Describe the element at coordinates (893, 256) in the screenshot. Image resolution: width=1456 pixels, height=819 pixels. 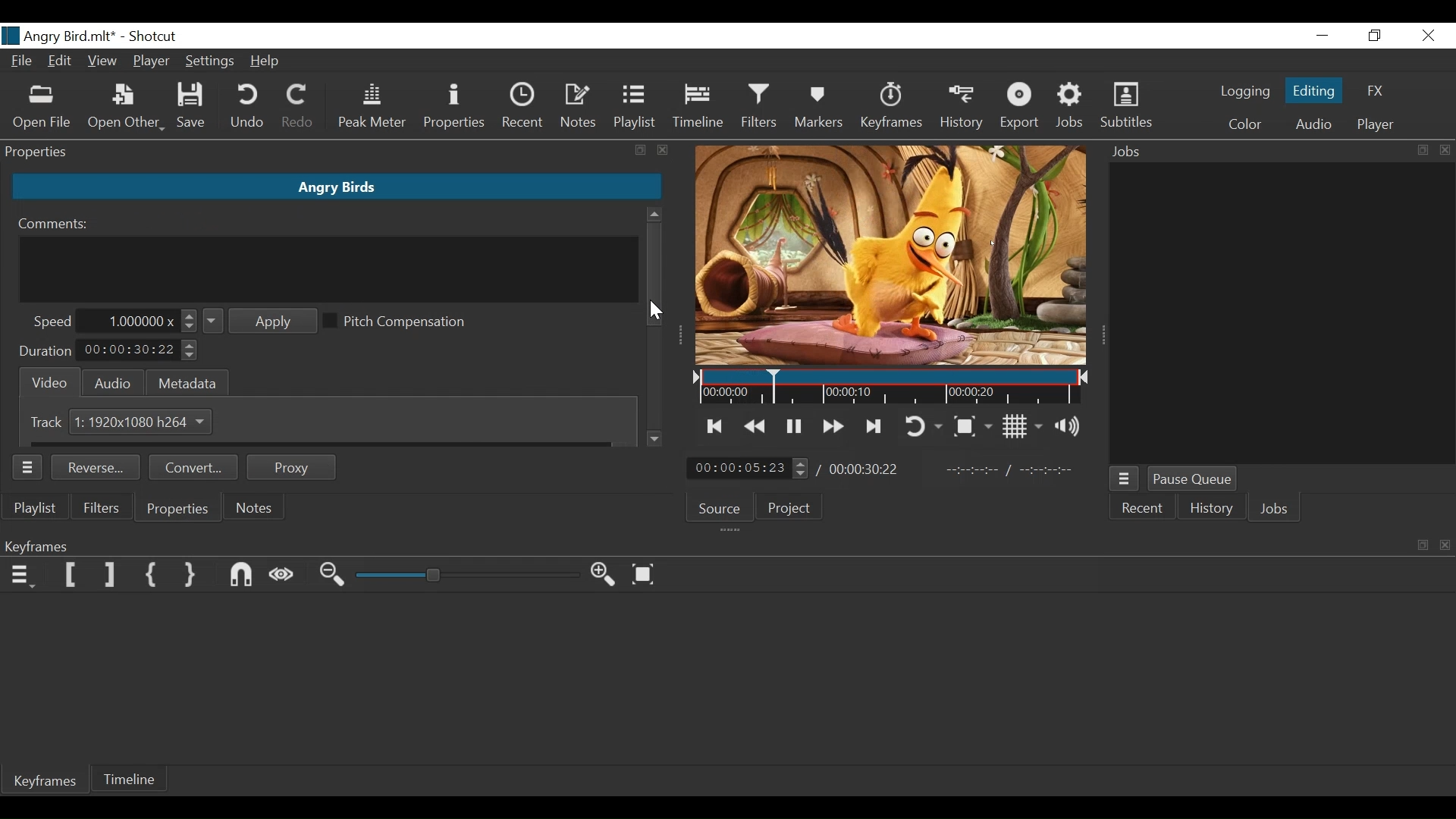
I see `Media Viewer` at that location.